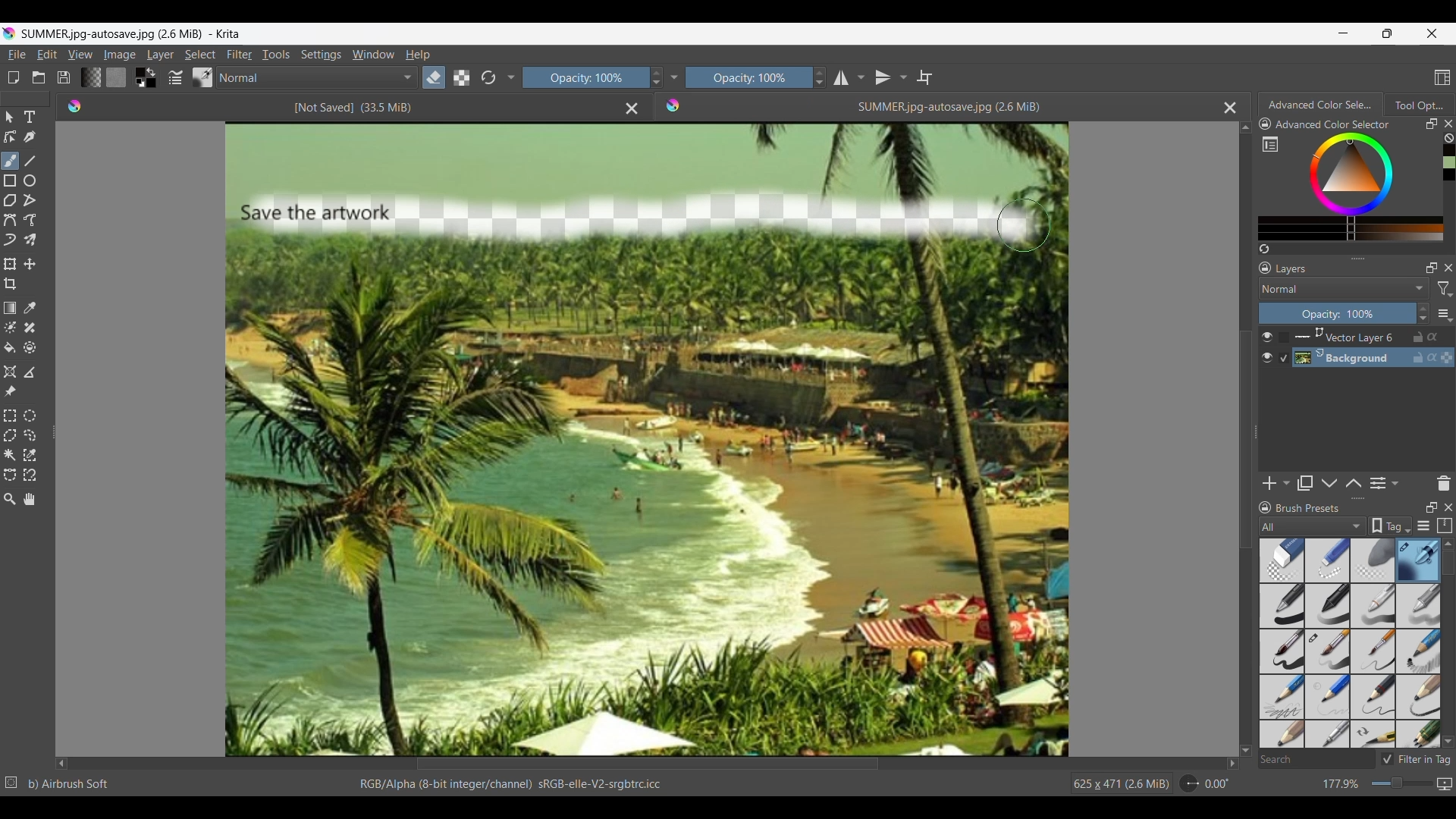  I want to click on b) Airbrush Soft, so click(69, 784).